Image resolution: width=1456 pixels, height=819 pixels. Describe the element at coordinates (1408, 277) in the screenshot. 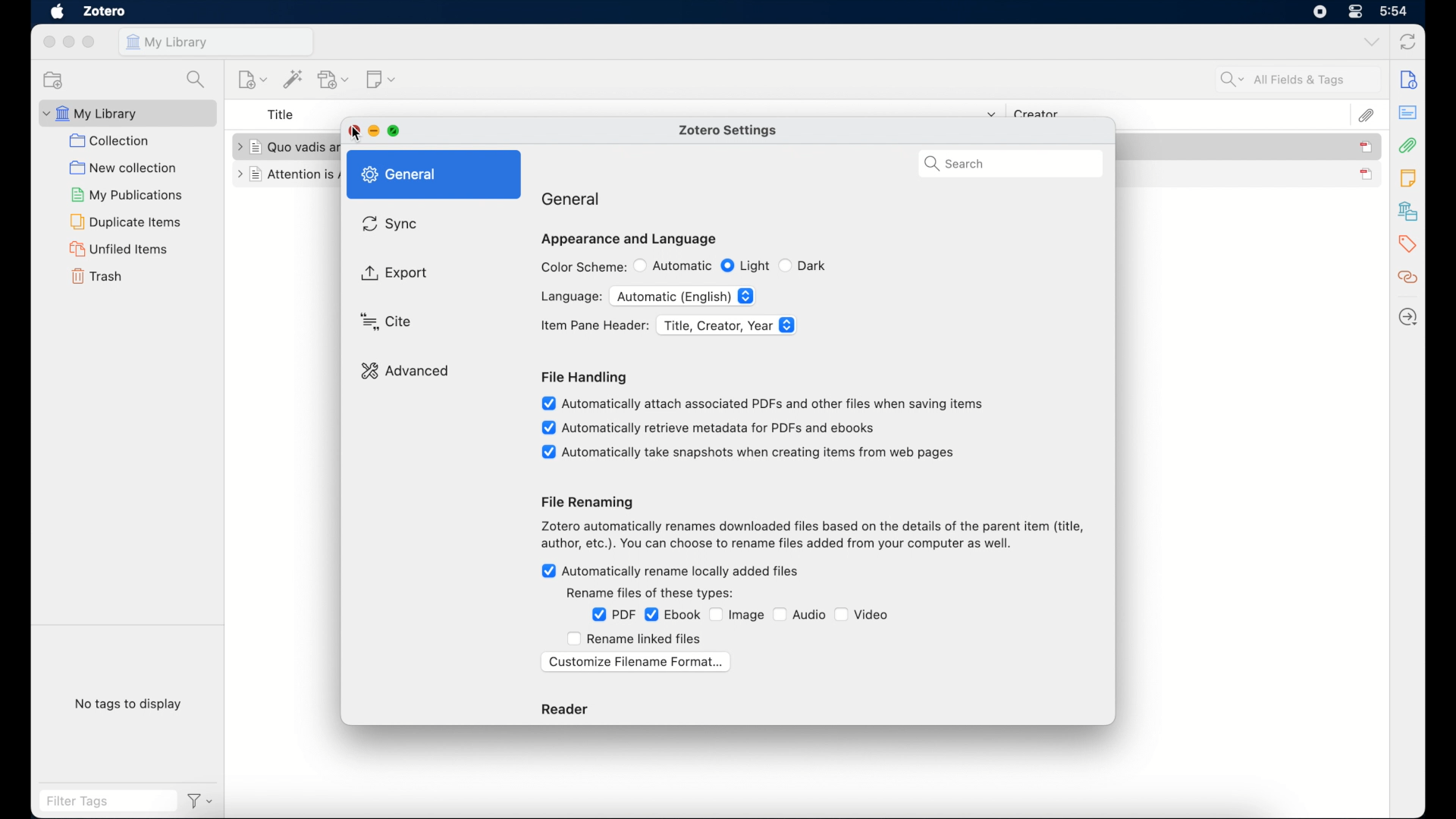

I see `related` at that location.